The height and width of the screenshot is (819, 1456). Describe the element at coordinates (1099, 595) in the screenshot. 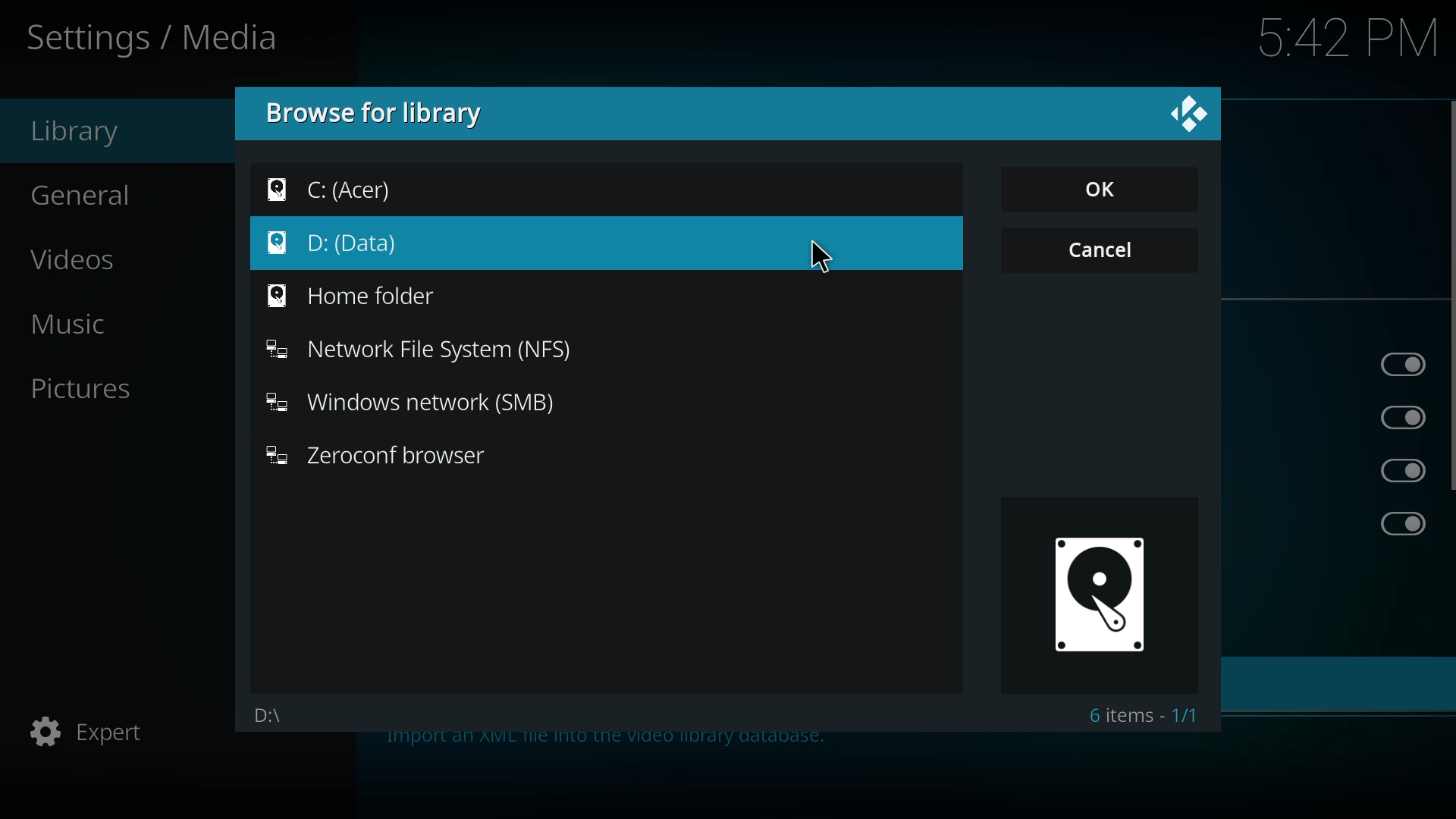

I see `drive` at that location.